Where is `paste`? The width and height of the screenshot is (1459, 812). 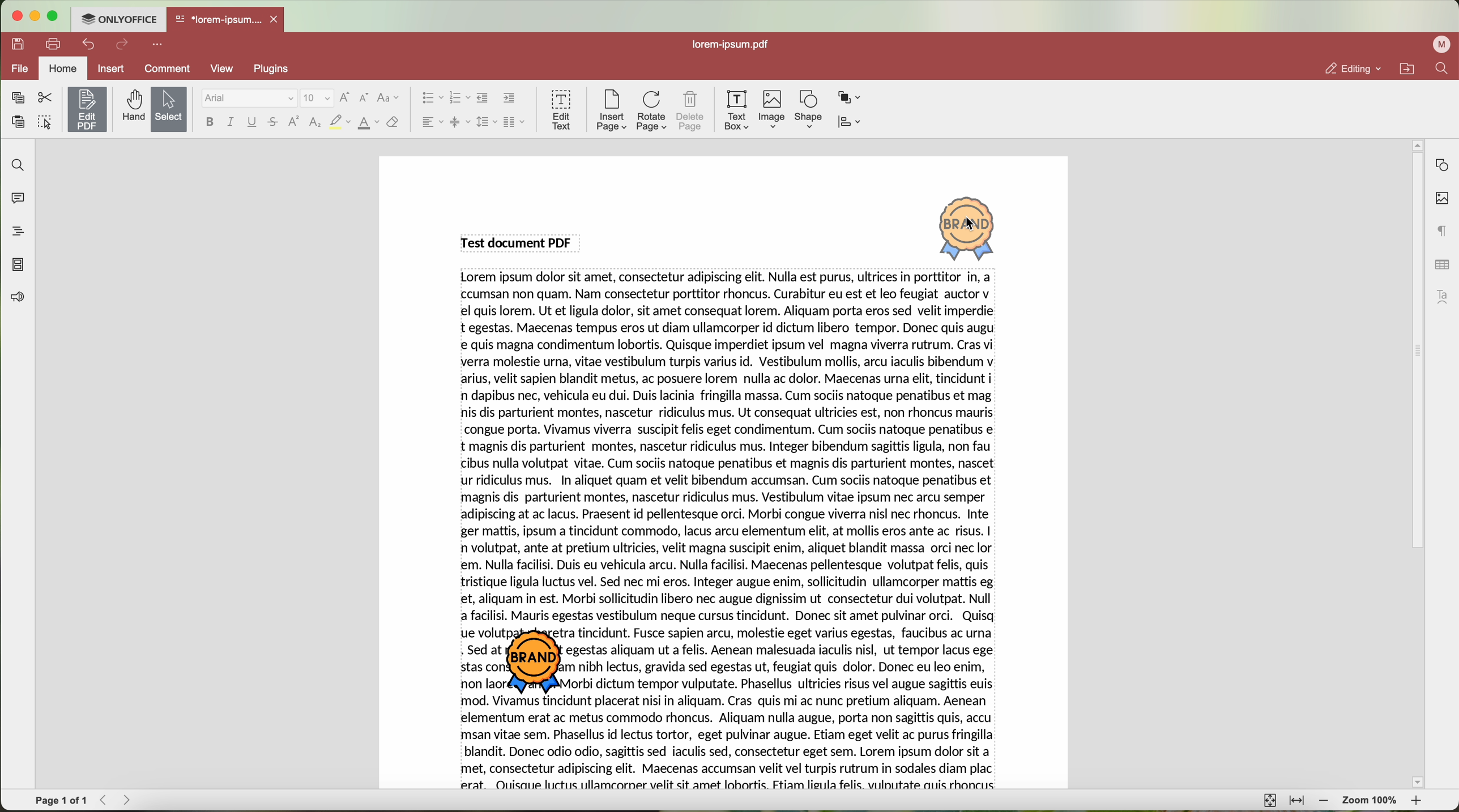 paste is located at coordinates (18, 122).